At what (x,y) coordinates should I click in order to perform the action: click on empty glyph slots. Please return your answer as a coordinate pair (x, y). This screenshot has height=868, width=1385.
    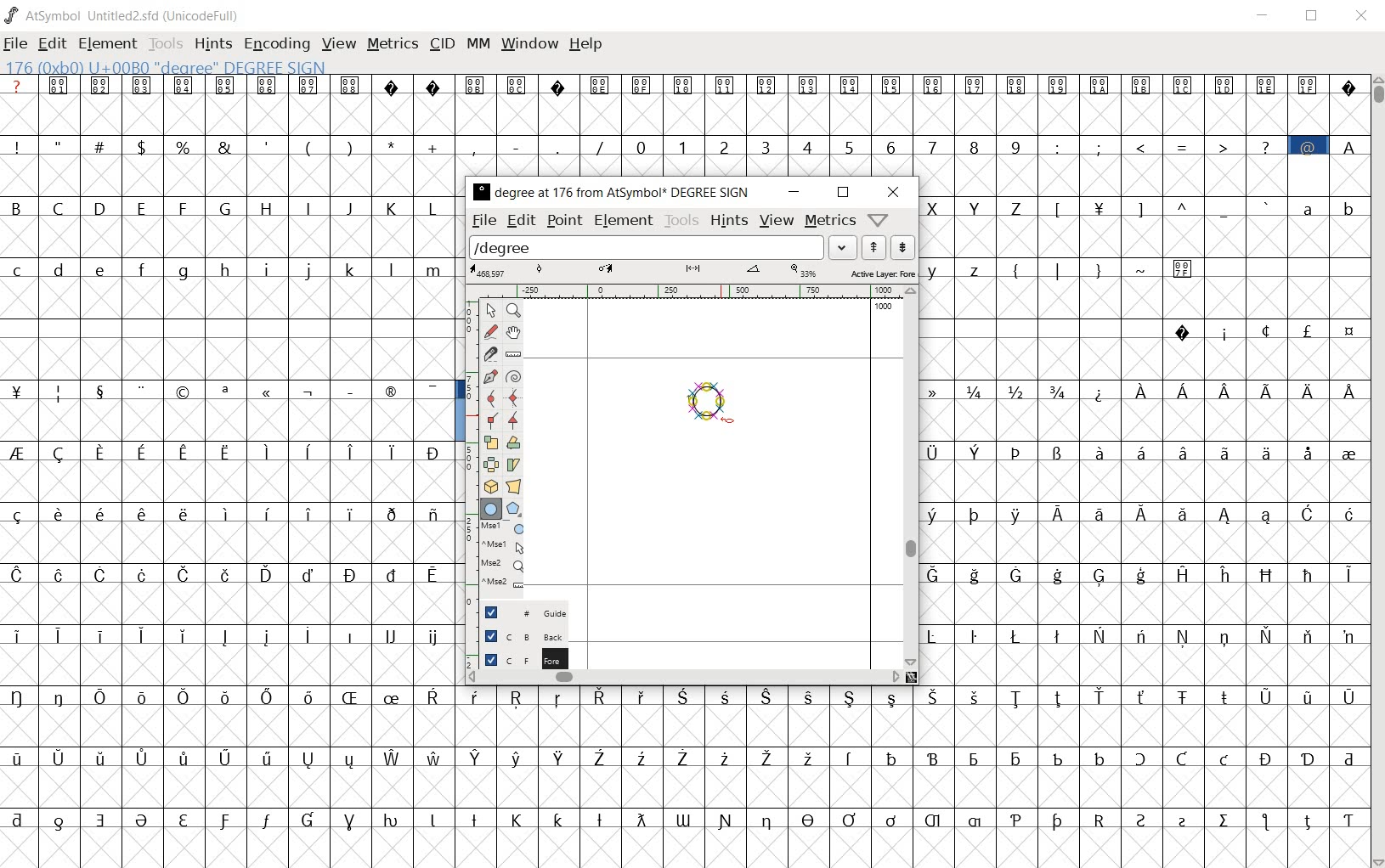
    Looking at the image, I should click on (1144, 358).